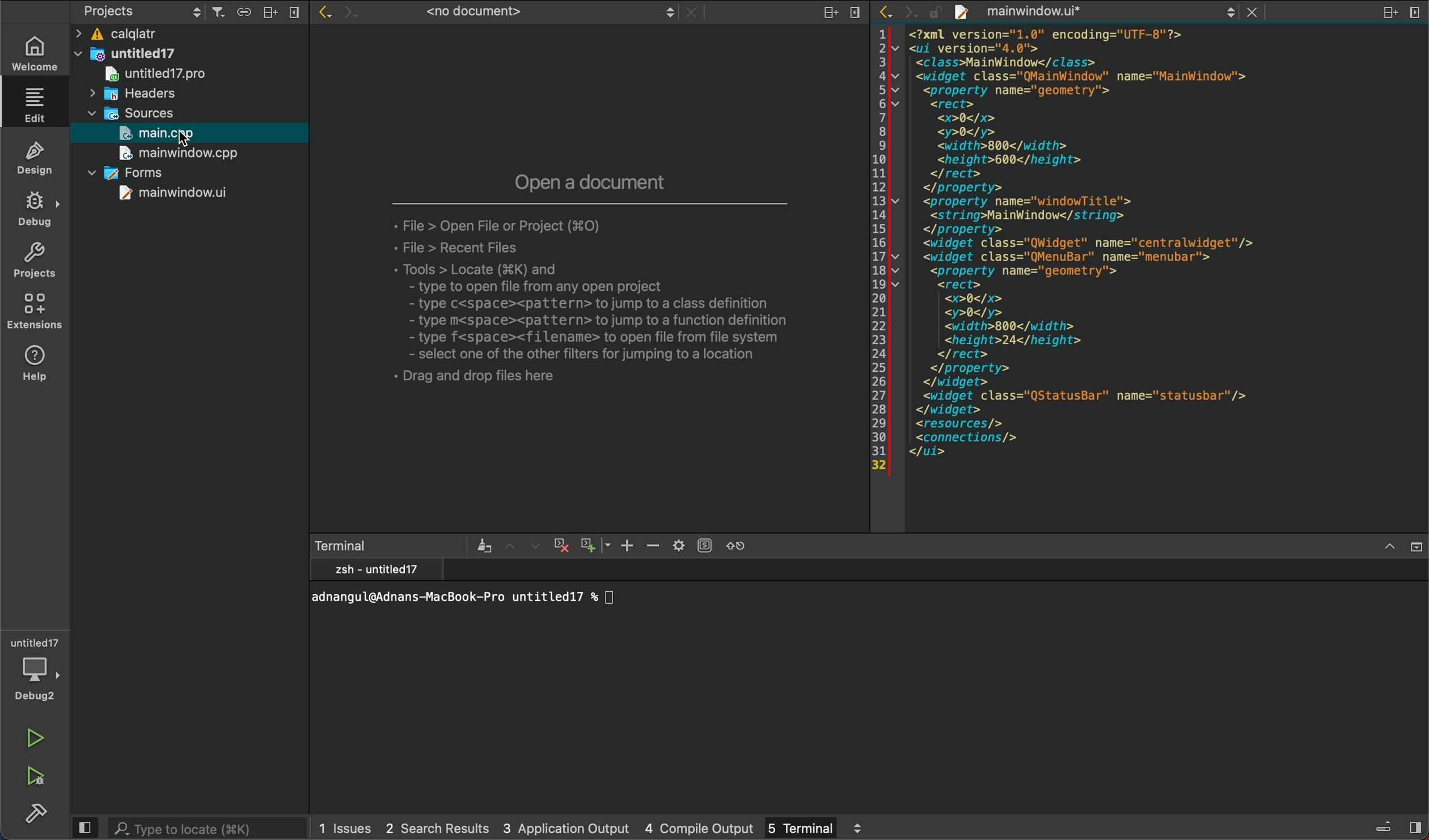 The image size is (1429, 840). I want to click on main window, so click(155, 194).